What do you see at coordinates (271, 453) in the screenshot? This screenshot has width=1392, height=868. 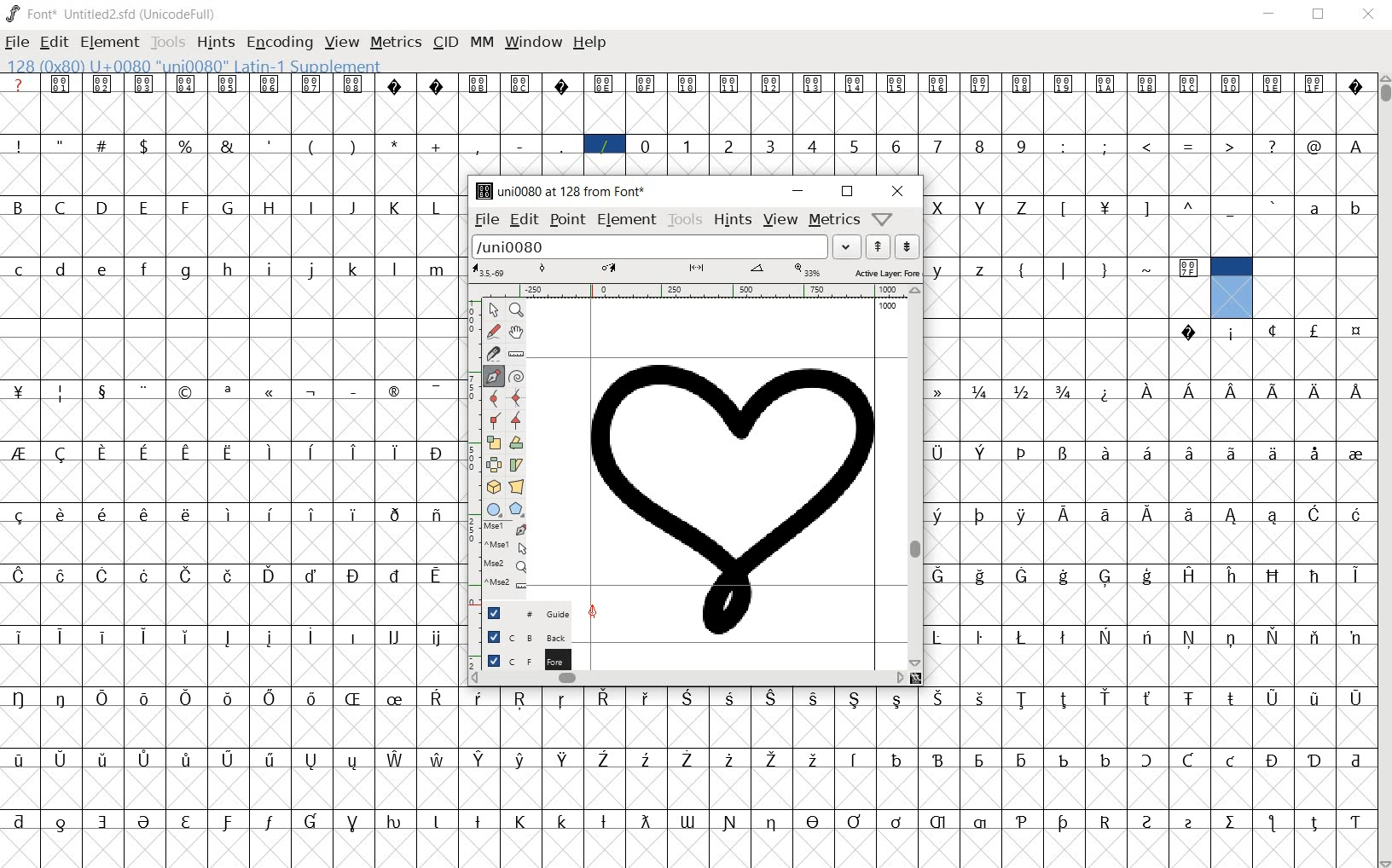 I see `glyph` at bounding box center [271, 453].